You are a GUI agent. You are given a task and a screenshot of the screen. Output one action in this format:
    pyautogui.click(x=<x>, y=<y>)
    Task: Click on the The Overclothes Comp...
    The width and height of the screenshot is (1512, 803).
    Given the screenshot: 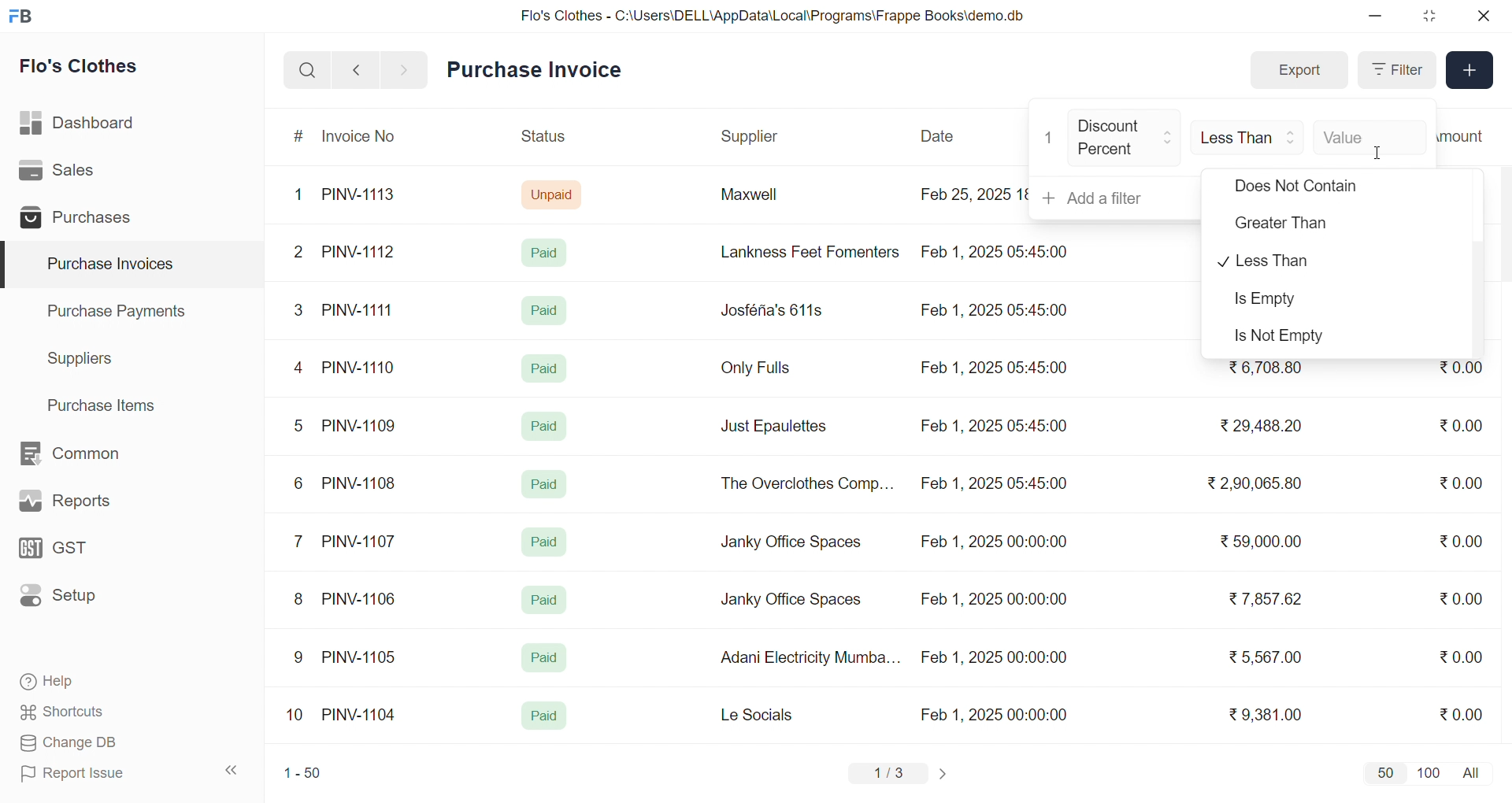 What is the action you would take?
    pyautogui.click(x=805, y=483)
    